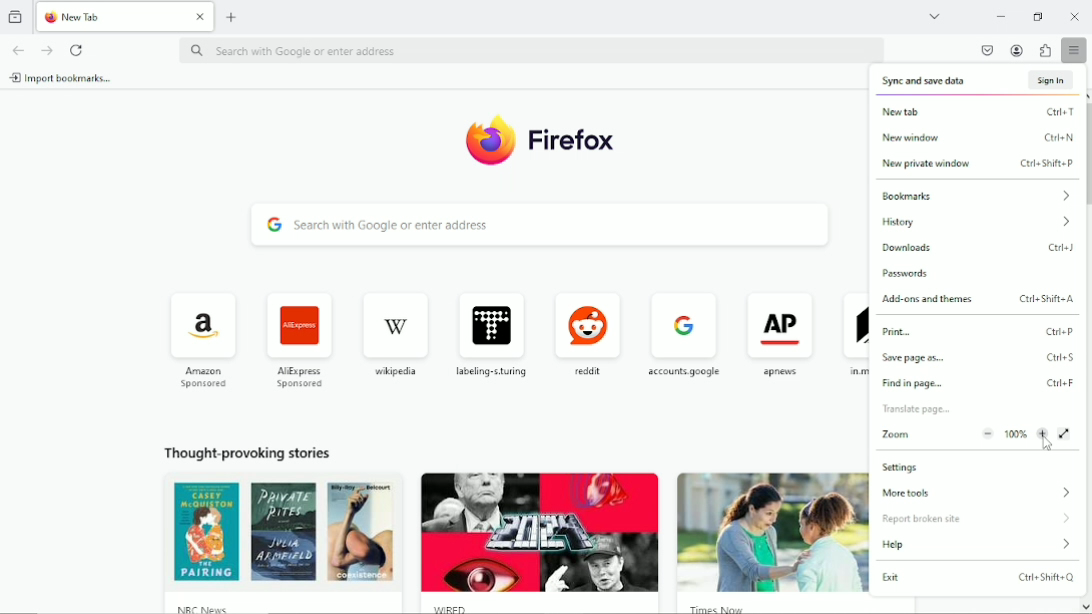 The image size is (1092, 614). I want to click on Add-ons and themes, so click(977, 299).